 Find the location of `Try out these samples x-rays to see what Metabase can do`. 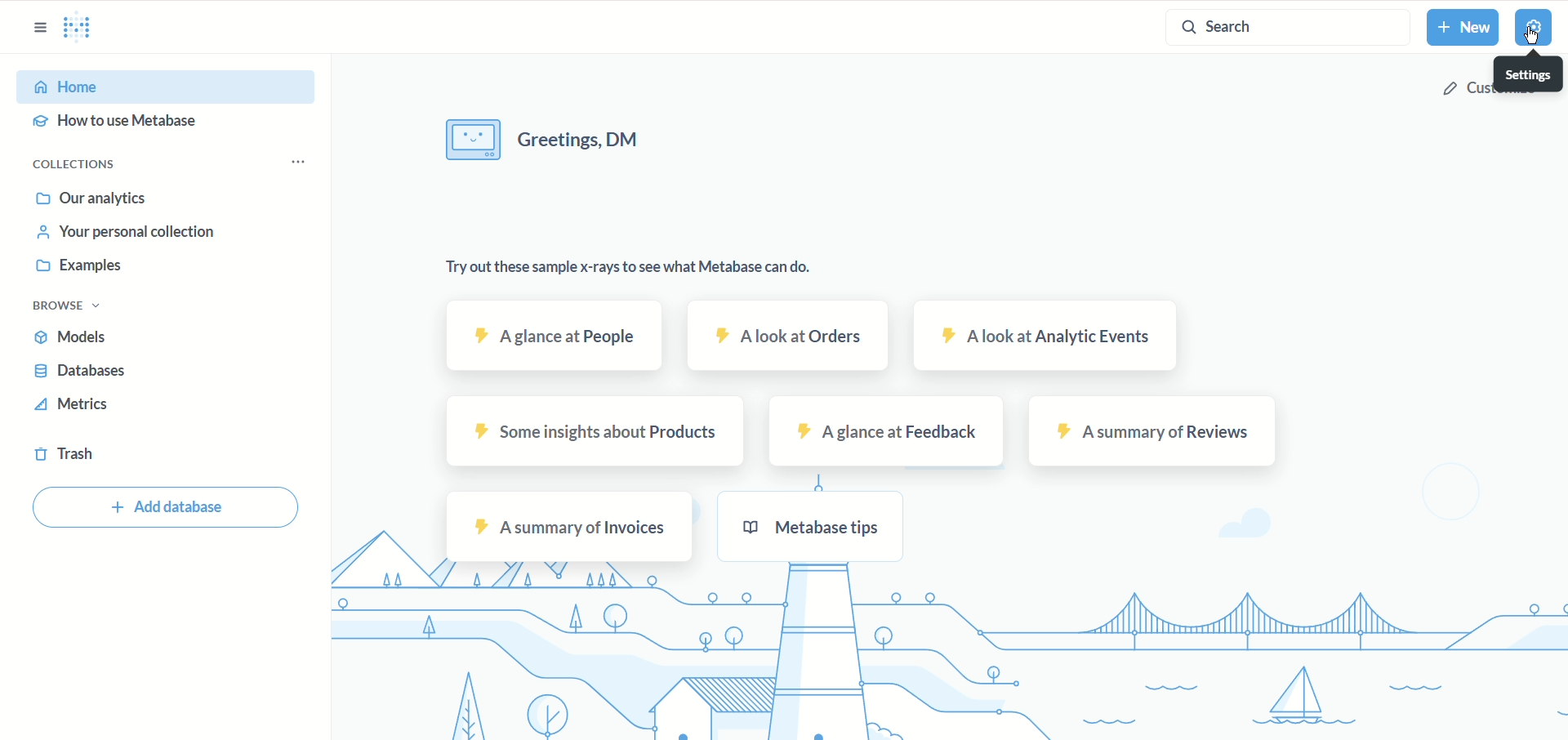

Try out these samples x-rays to see what Metabase can do is located at coordinates (613, 262).